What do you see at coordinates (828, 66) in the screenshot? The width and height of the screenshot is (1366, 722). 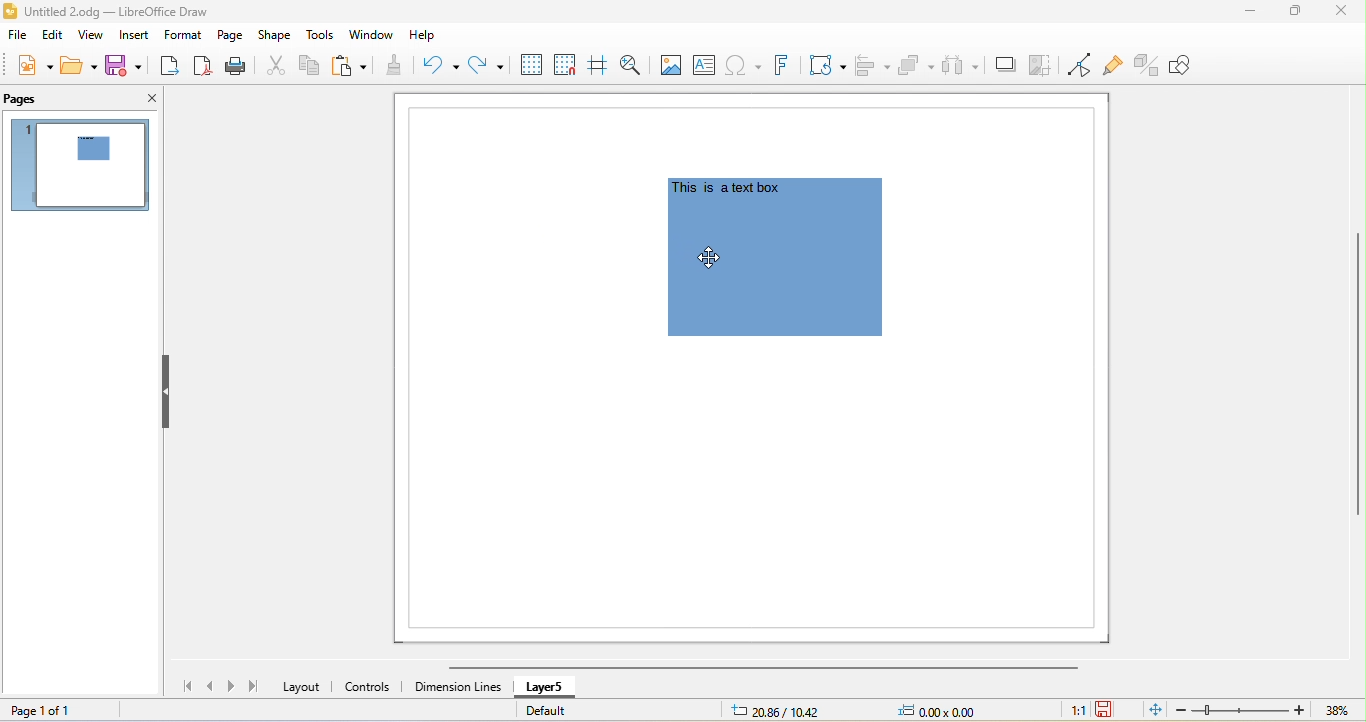 I see `transformation` at bounding box center [828, 66].